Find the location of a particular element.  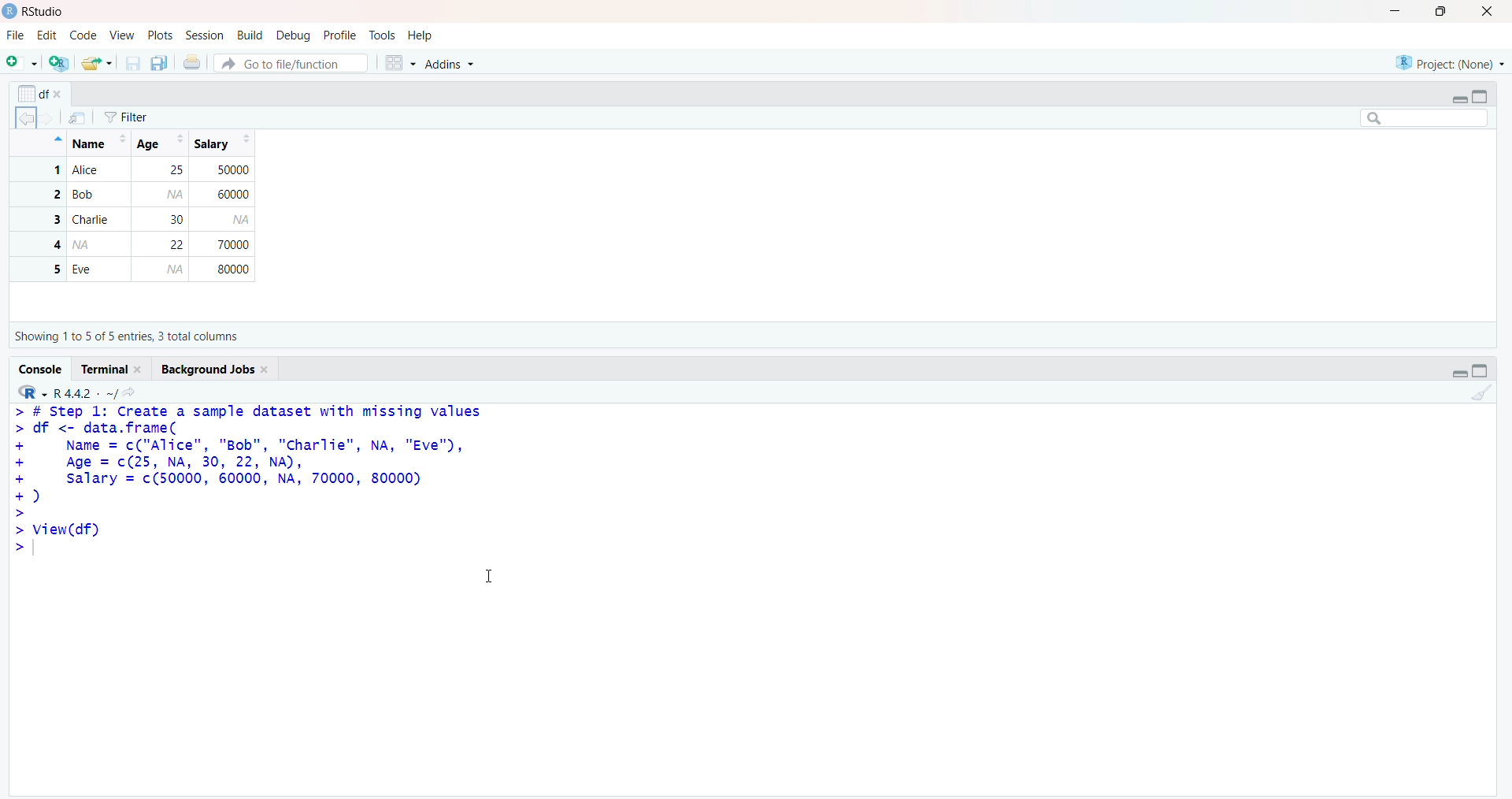

Help is located at coordinates (422, 35).